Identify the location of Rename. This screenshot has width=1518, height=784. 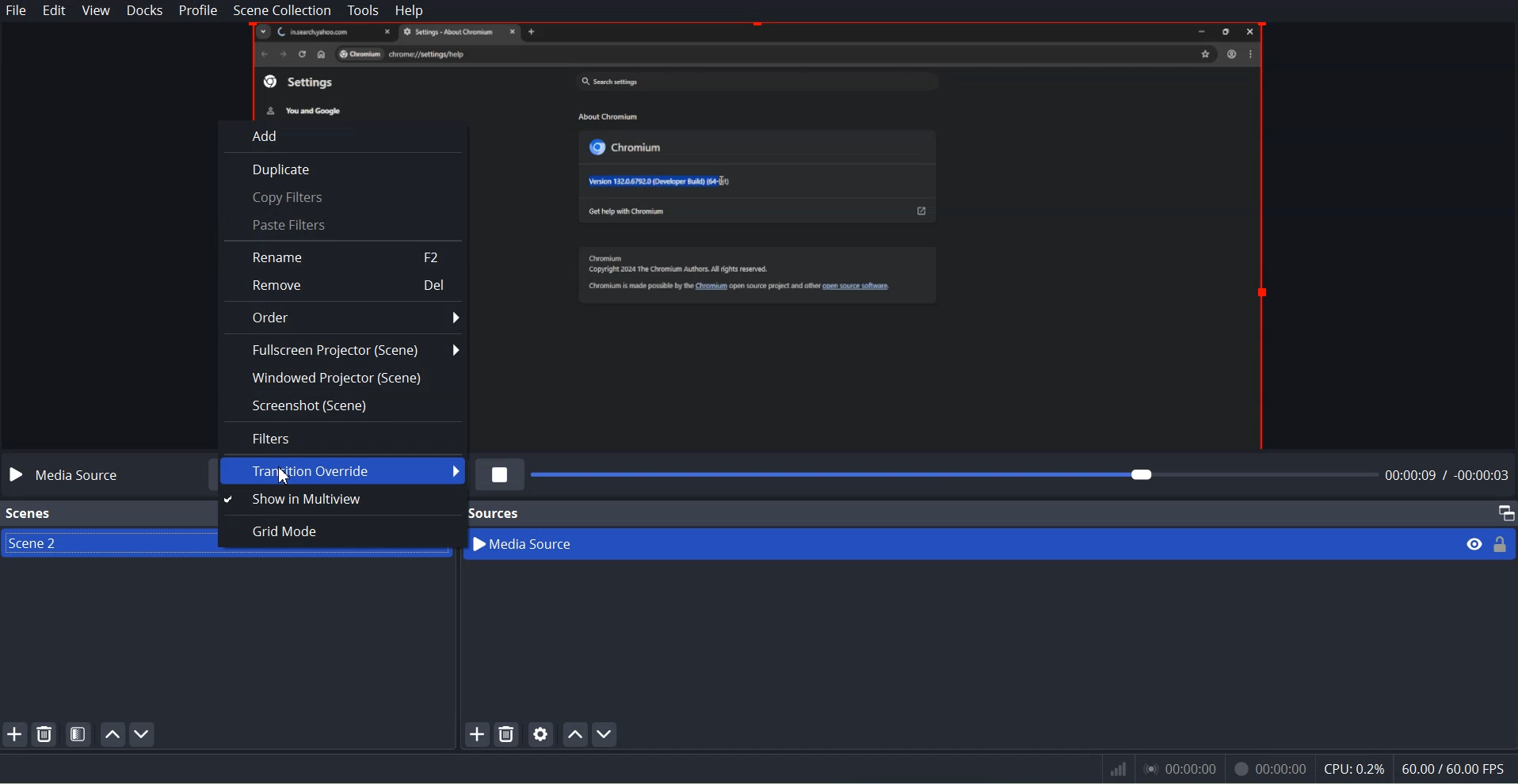
(344, 256).